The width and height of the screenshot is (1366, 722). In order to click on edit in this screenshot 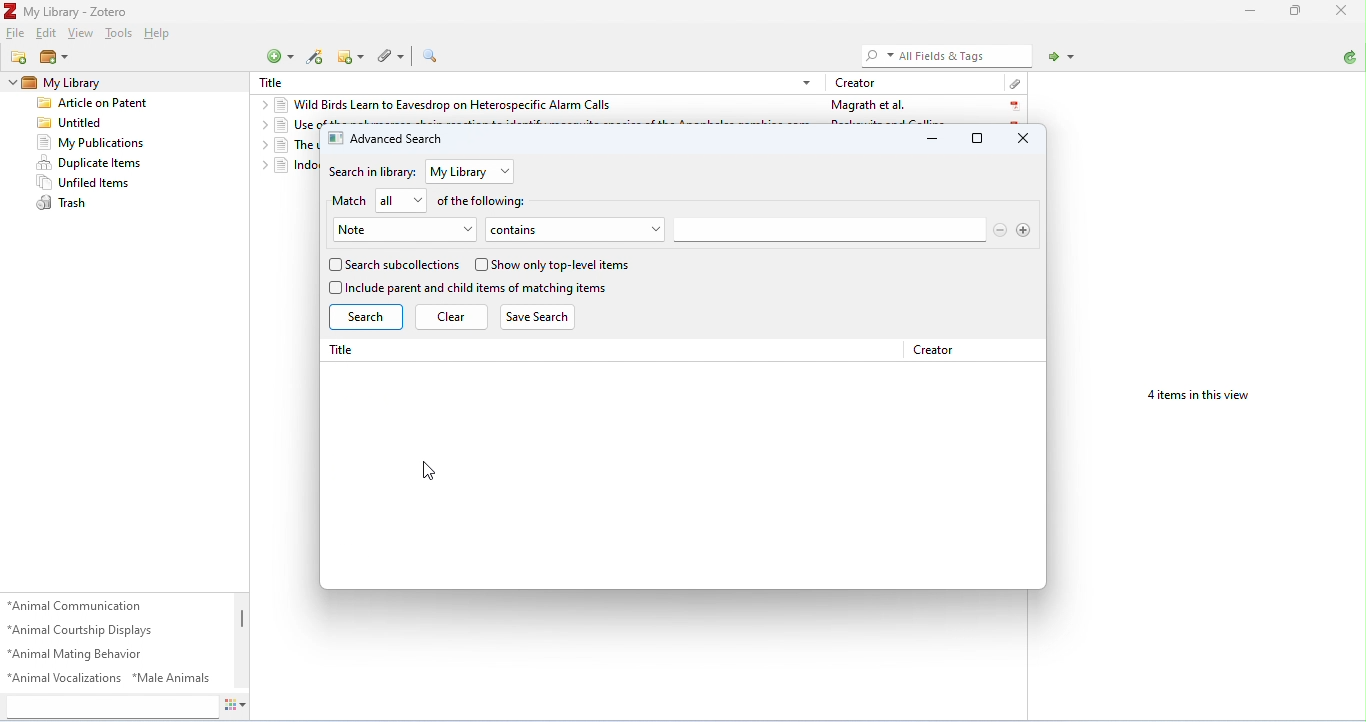, I will do `click(45, 32)`.